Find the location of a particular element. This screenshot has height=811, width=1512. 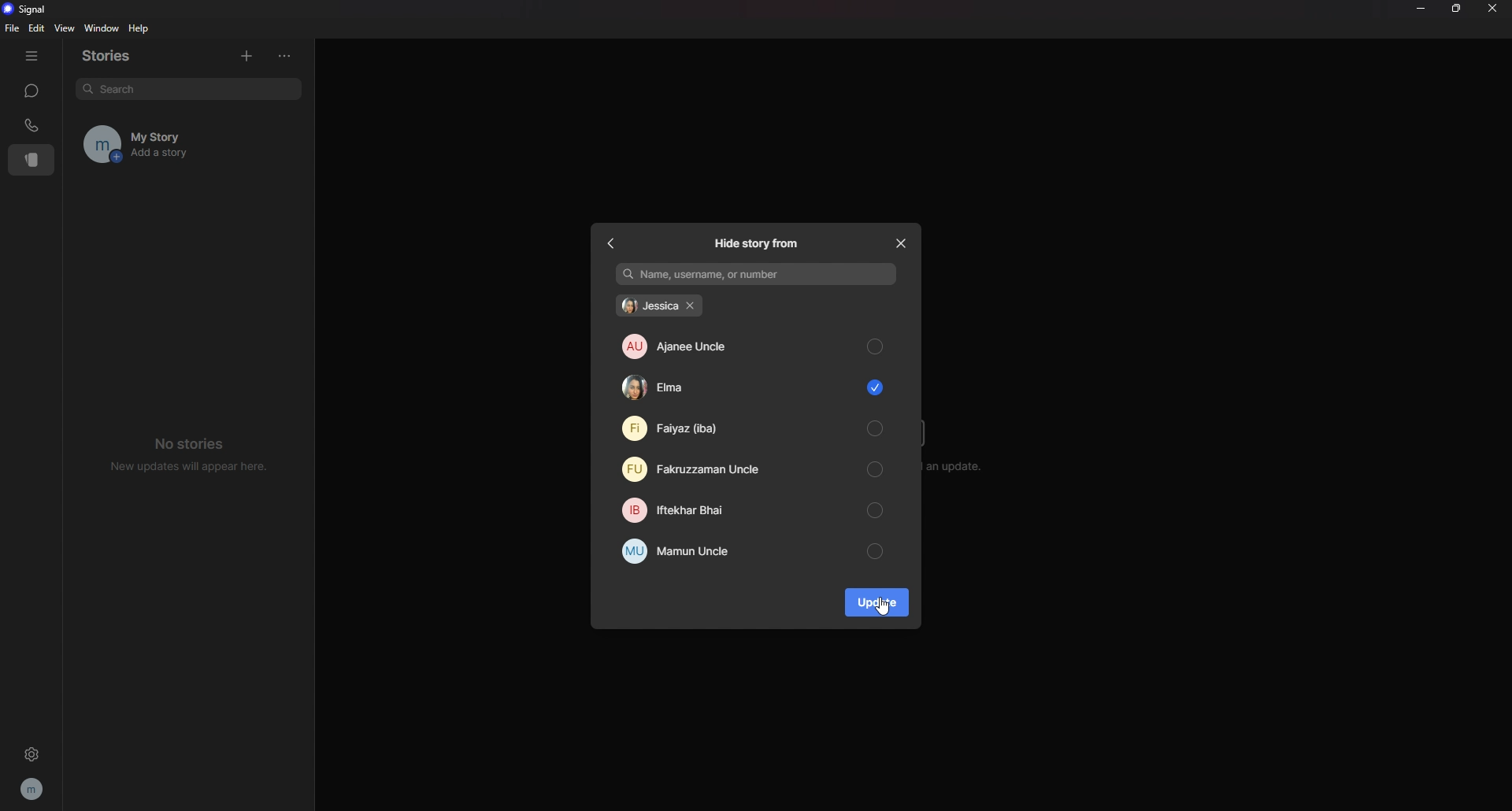

back is located at coordinates (612, 243).